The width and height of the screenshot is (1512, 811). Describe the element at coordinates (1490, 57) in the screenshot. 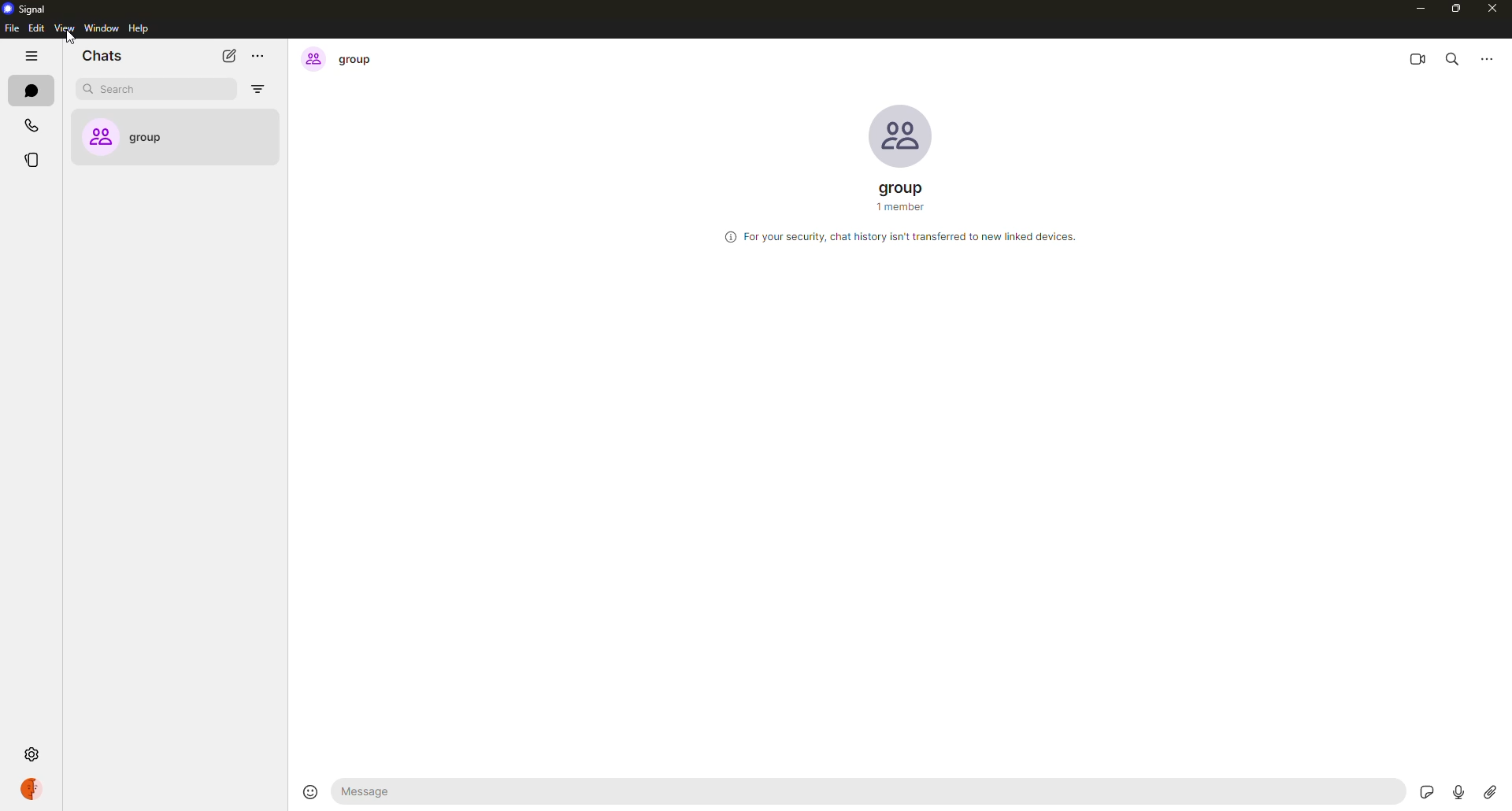

I see `more` at that location.